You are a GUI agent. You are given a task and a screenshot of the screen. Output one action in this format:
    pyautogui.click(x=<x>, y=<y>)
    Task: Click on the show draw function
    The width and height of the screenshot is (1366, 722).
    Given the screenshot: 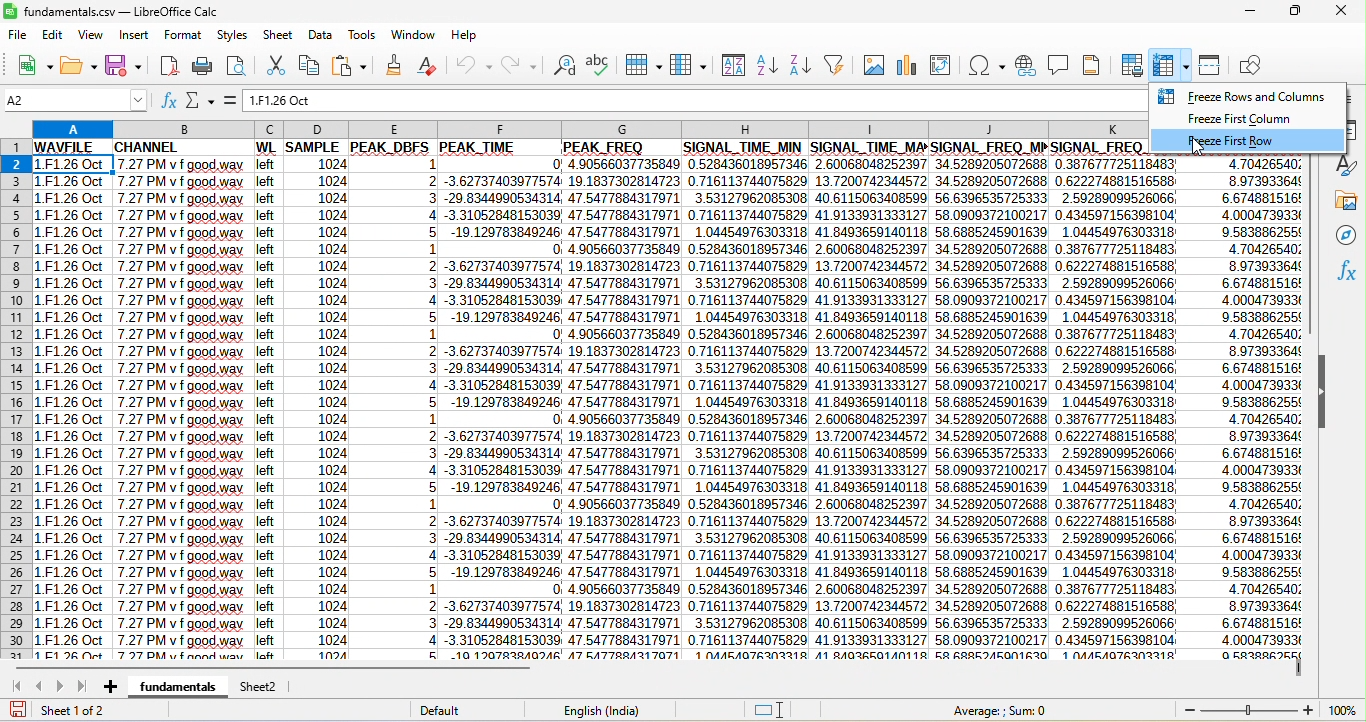 What is the action you would take?
    pyautogui.click(x=1257, y=67)
    